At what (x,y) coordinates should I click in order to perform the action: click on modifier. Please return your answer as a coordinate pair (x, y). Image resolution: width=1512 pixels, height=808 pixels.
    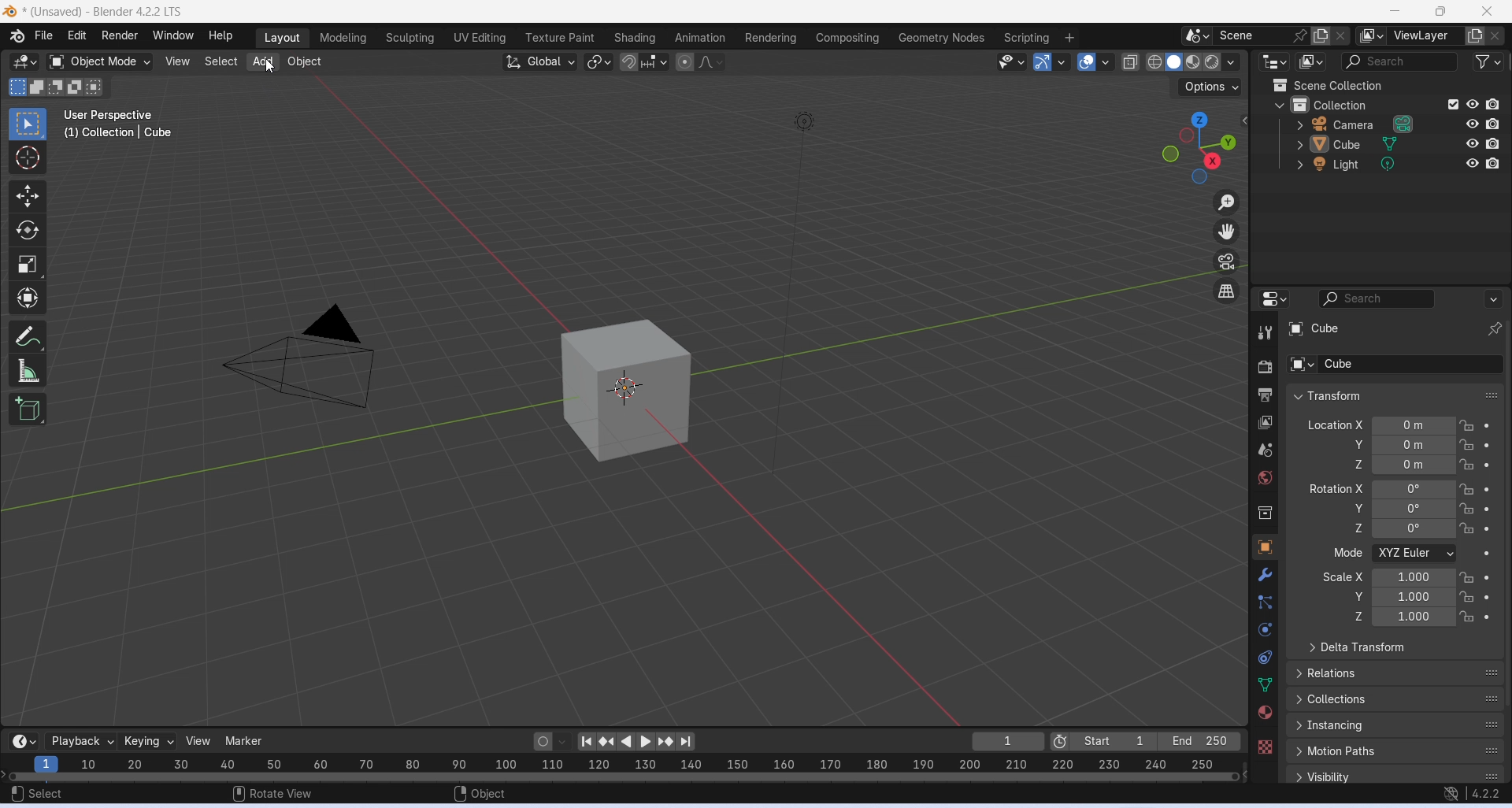
    Looking at the image, I should click on (1265, 574).